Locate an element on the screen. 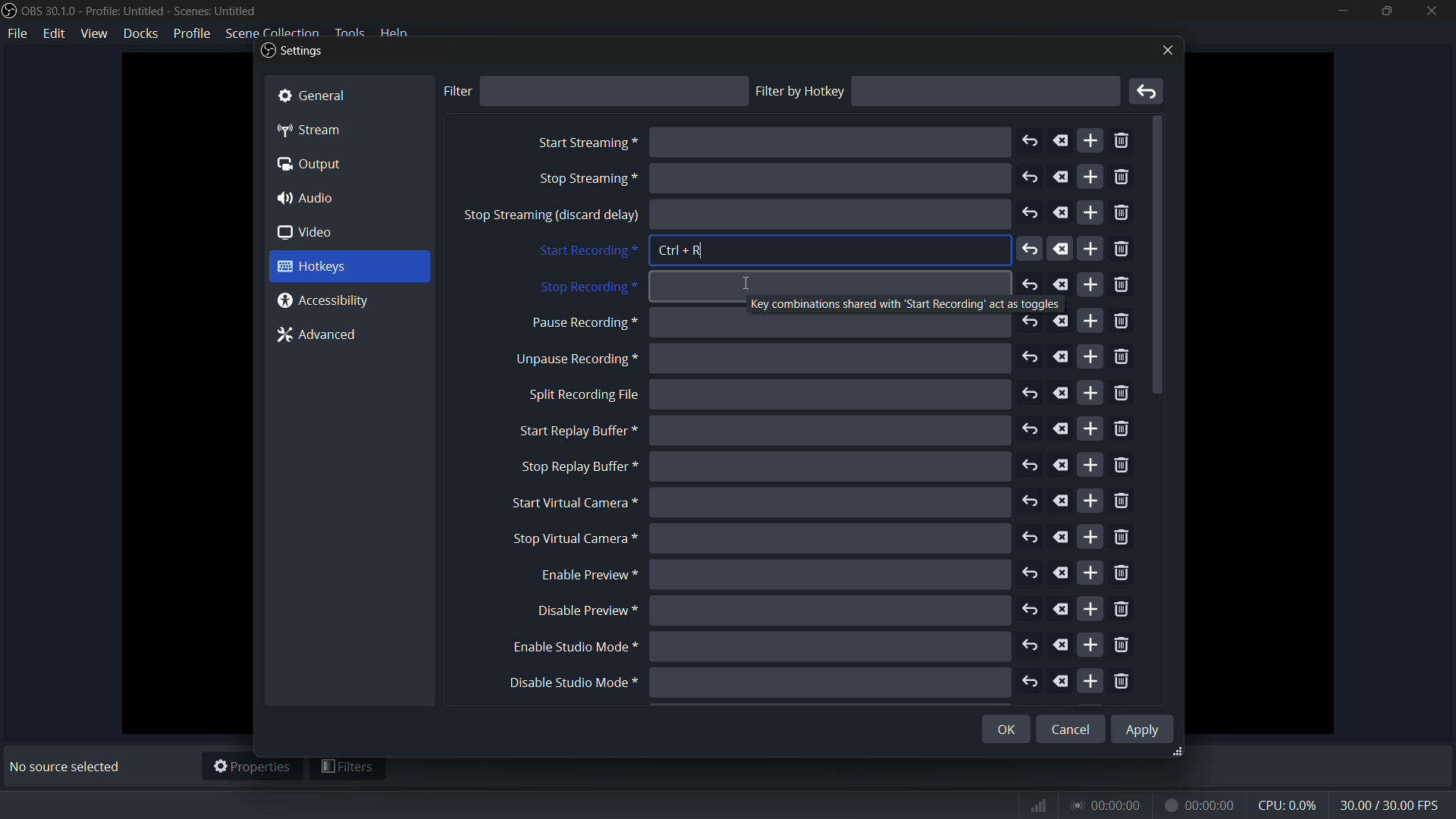 The width and height of the screenshot is (1456, 819). minimize is located at coordinates (1342, 11).